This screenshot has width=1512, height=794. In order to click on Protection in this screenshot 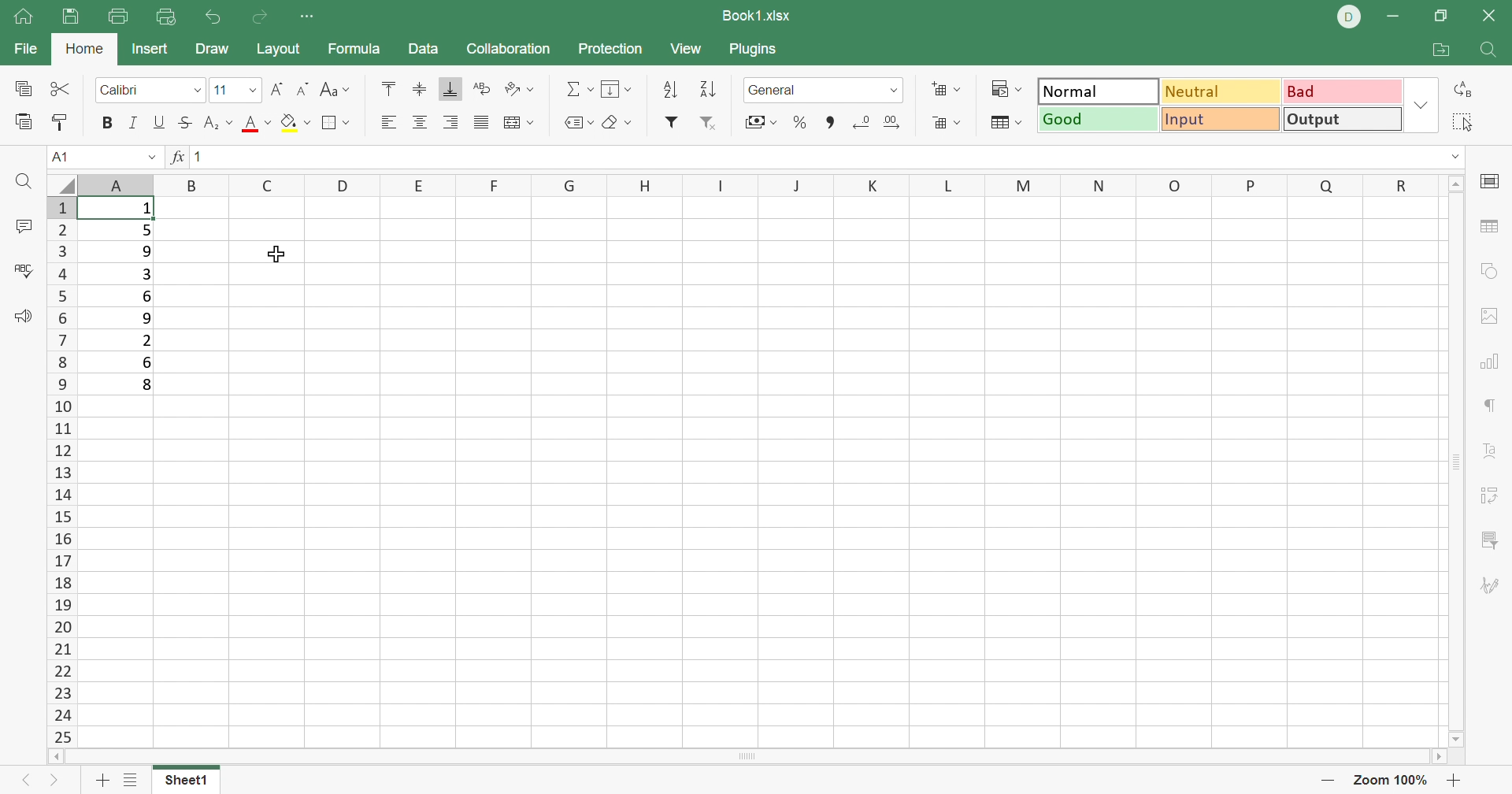, I will do `click(609, 47)`.